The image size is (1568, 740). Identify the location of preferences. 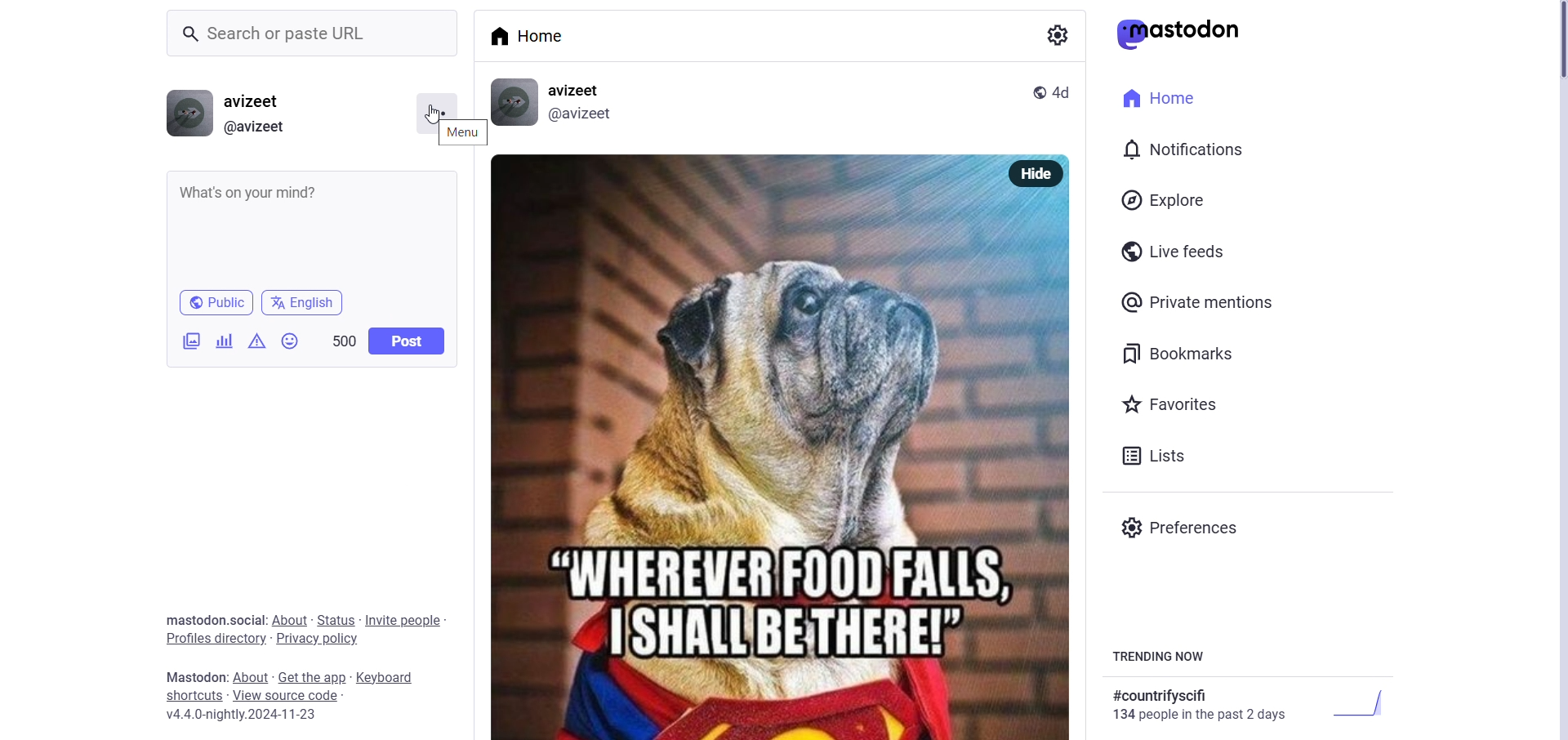
(1184, 526).